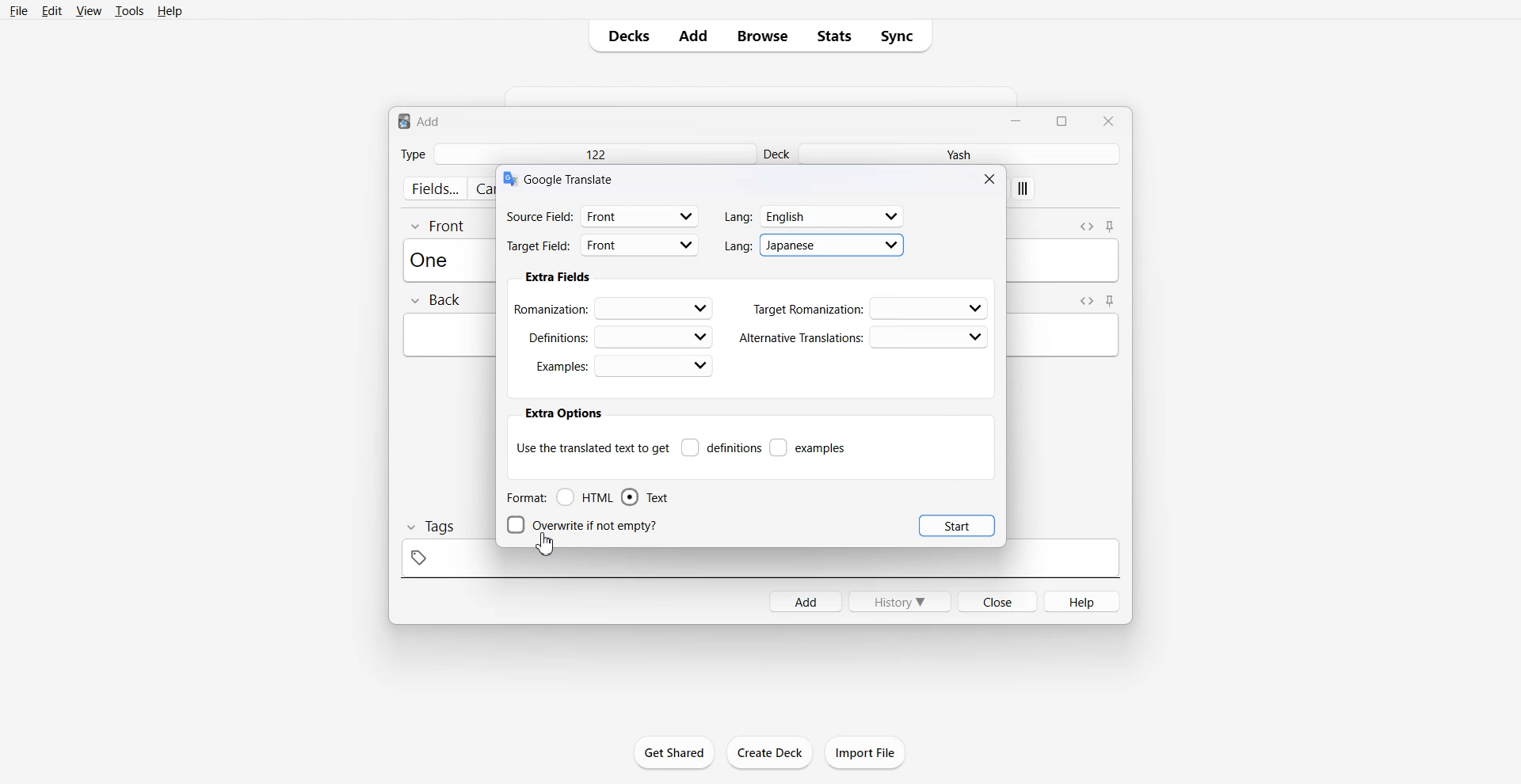 The image size is (1521, 784). Describe the element at coordinates (1018, 120) in the screenshot. I see `Minimize` at that location.